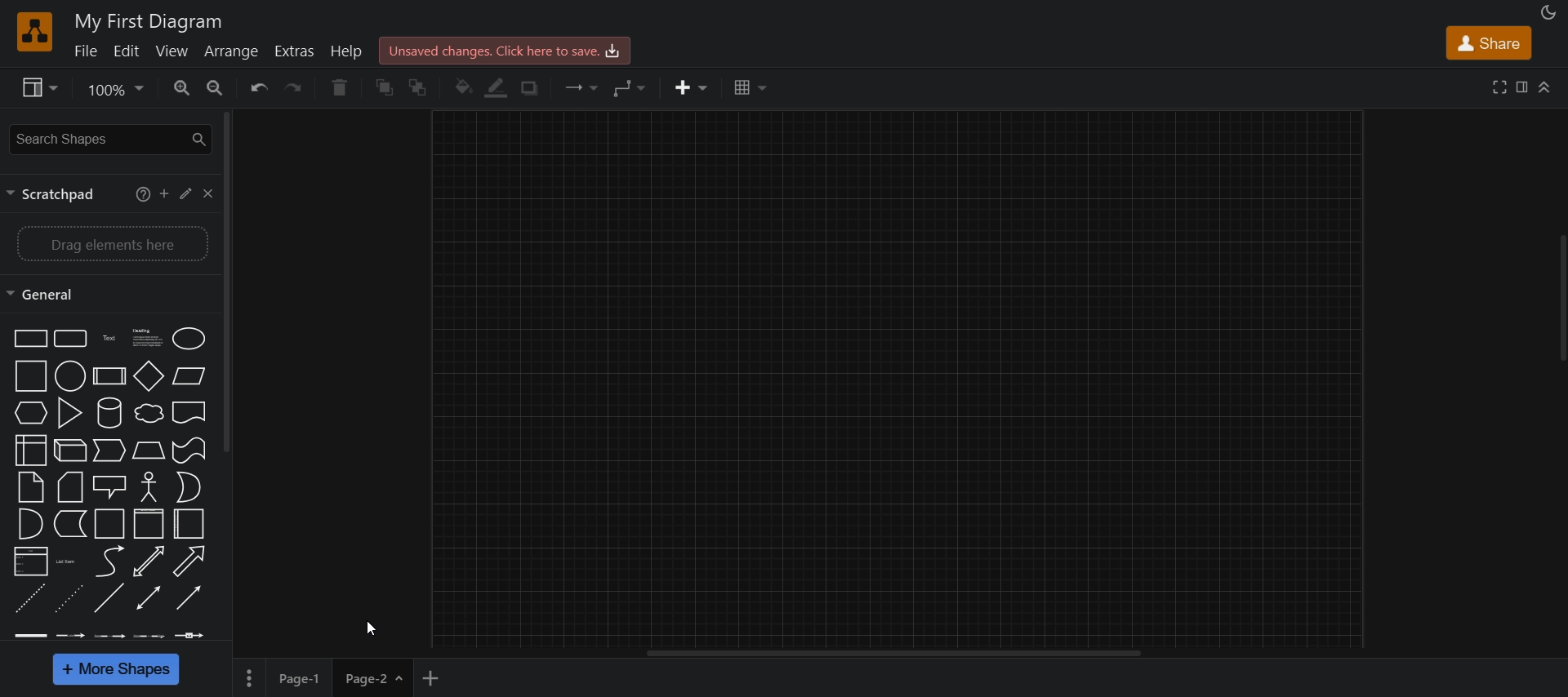 Image resolution: width=1568 pixels, height=697 pixels. Describe the element at coordinates (1519, 87) in the screenshot. I see `format` at that location.